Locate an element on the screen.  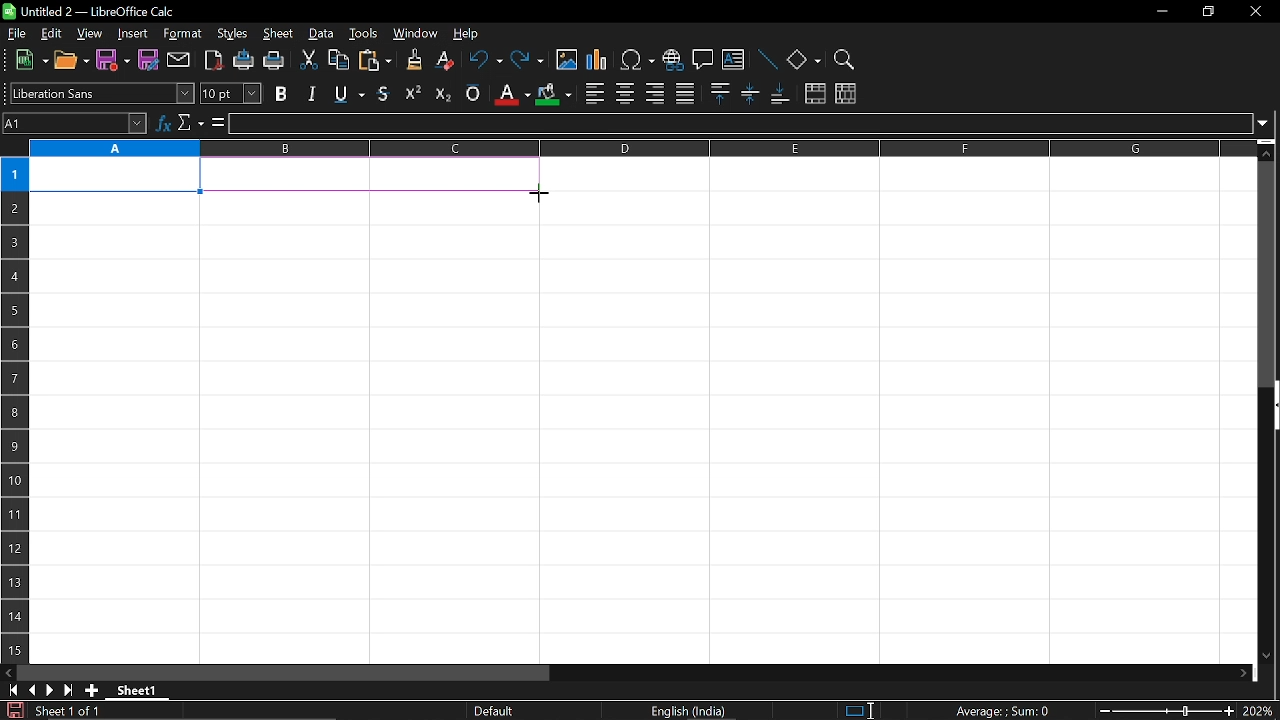
cell color is located at coordinates (553, 95).